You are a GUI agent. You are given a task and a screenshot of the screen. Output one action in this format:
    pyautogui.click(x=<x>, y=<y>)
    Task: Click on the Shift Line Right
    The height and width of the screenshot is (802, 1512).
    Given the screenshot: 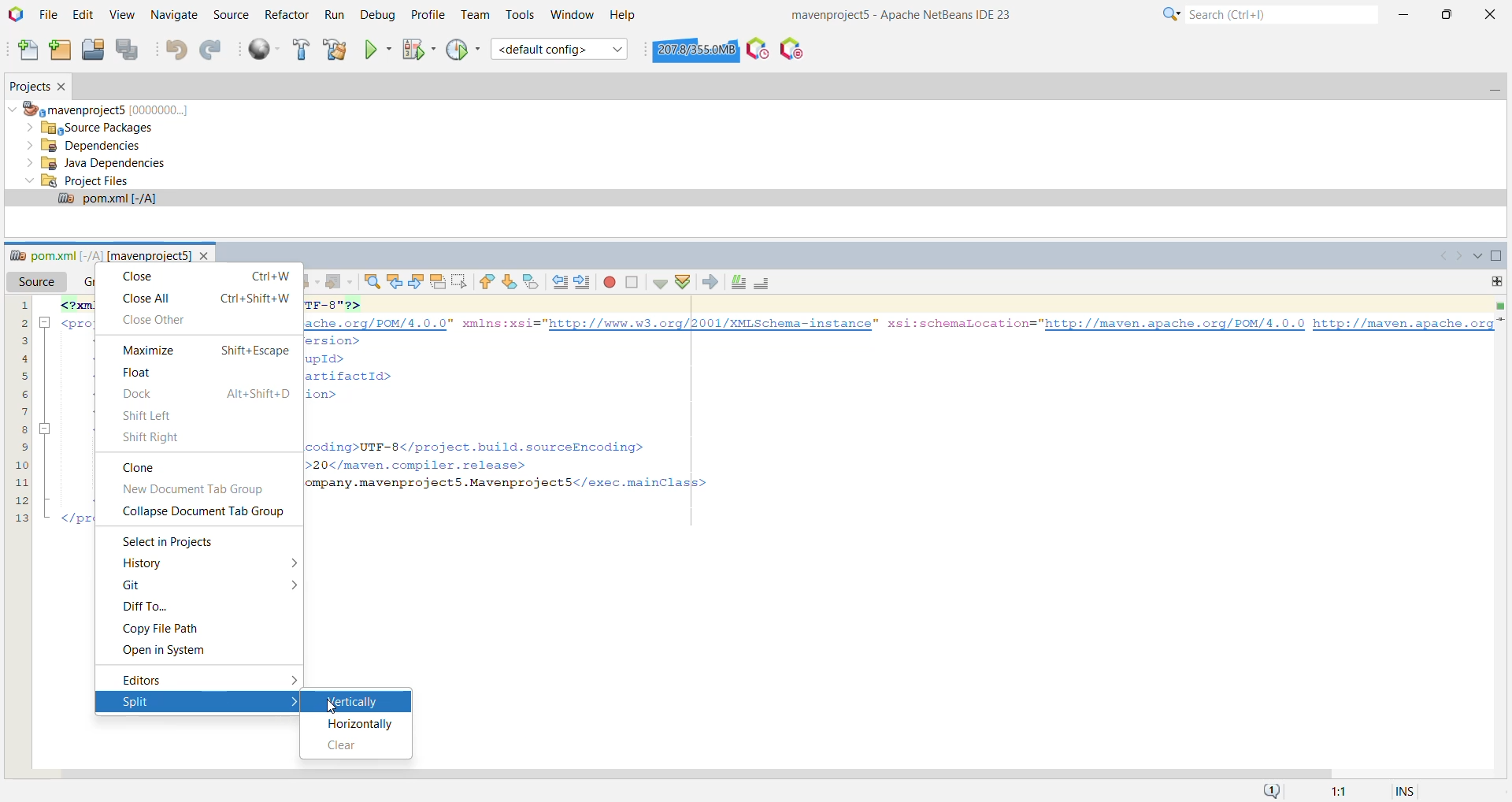 What is the action you would take?
    pyautogui.click(x=582, y=283)
    